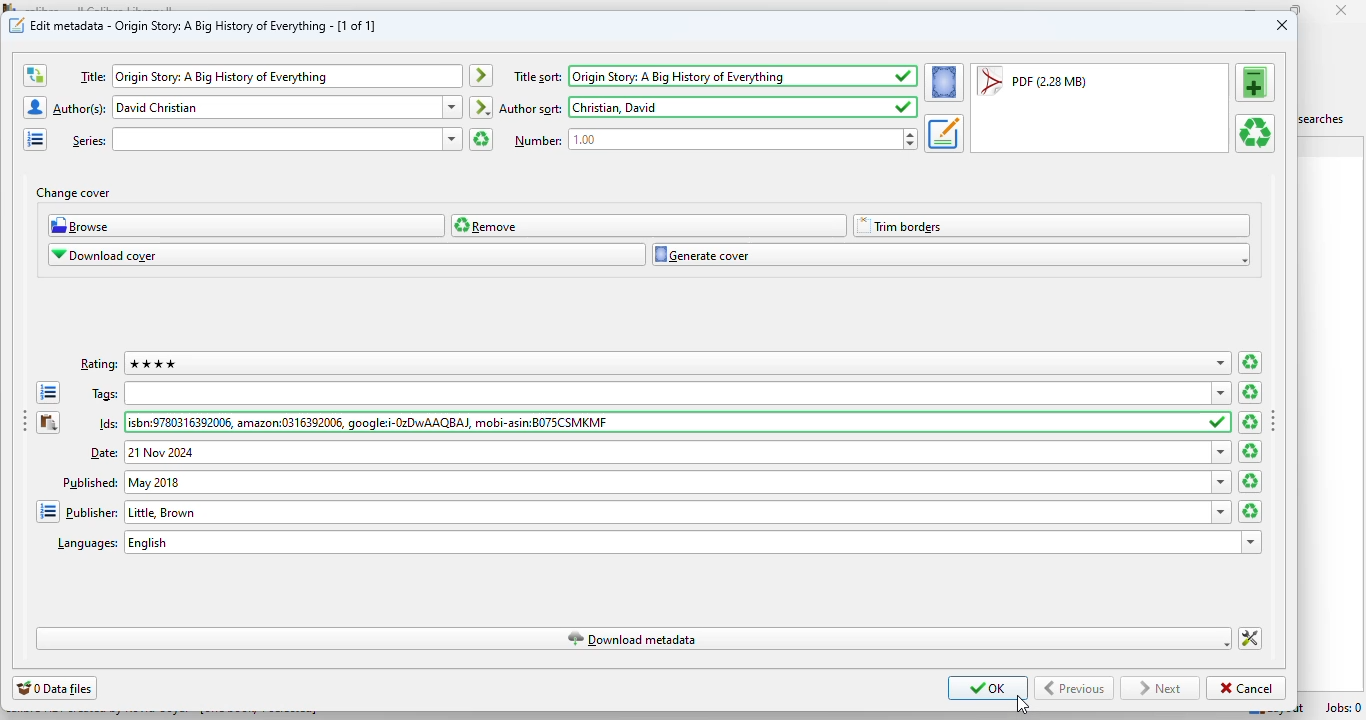 This screenshot has height=720, width=1366. I want to click on cursor, so click(1023, 705).